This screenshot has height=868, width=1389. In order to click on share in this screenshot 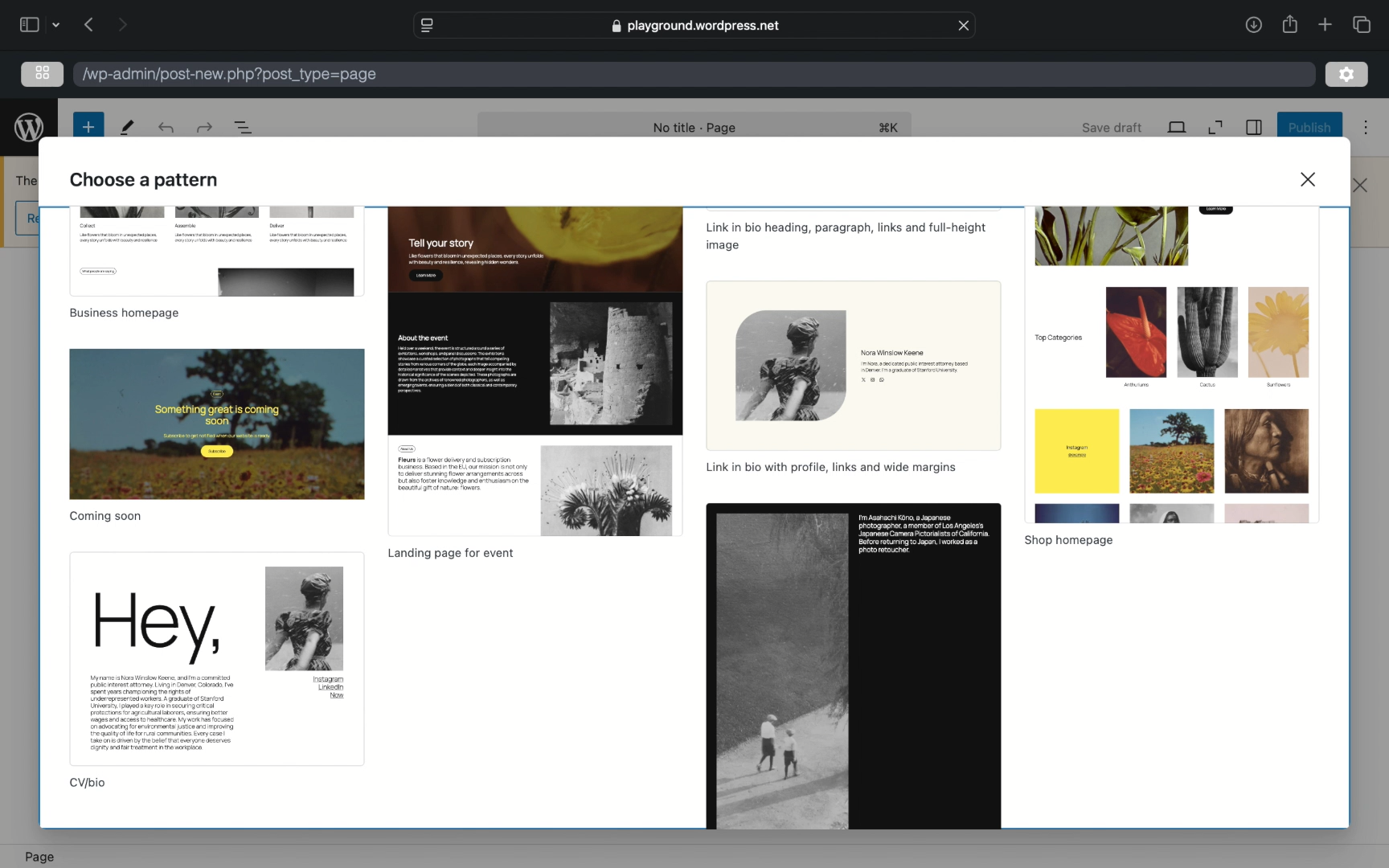, I will do `click(1289, 24)`.